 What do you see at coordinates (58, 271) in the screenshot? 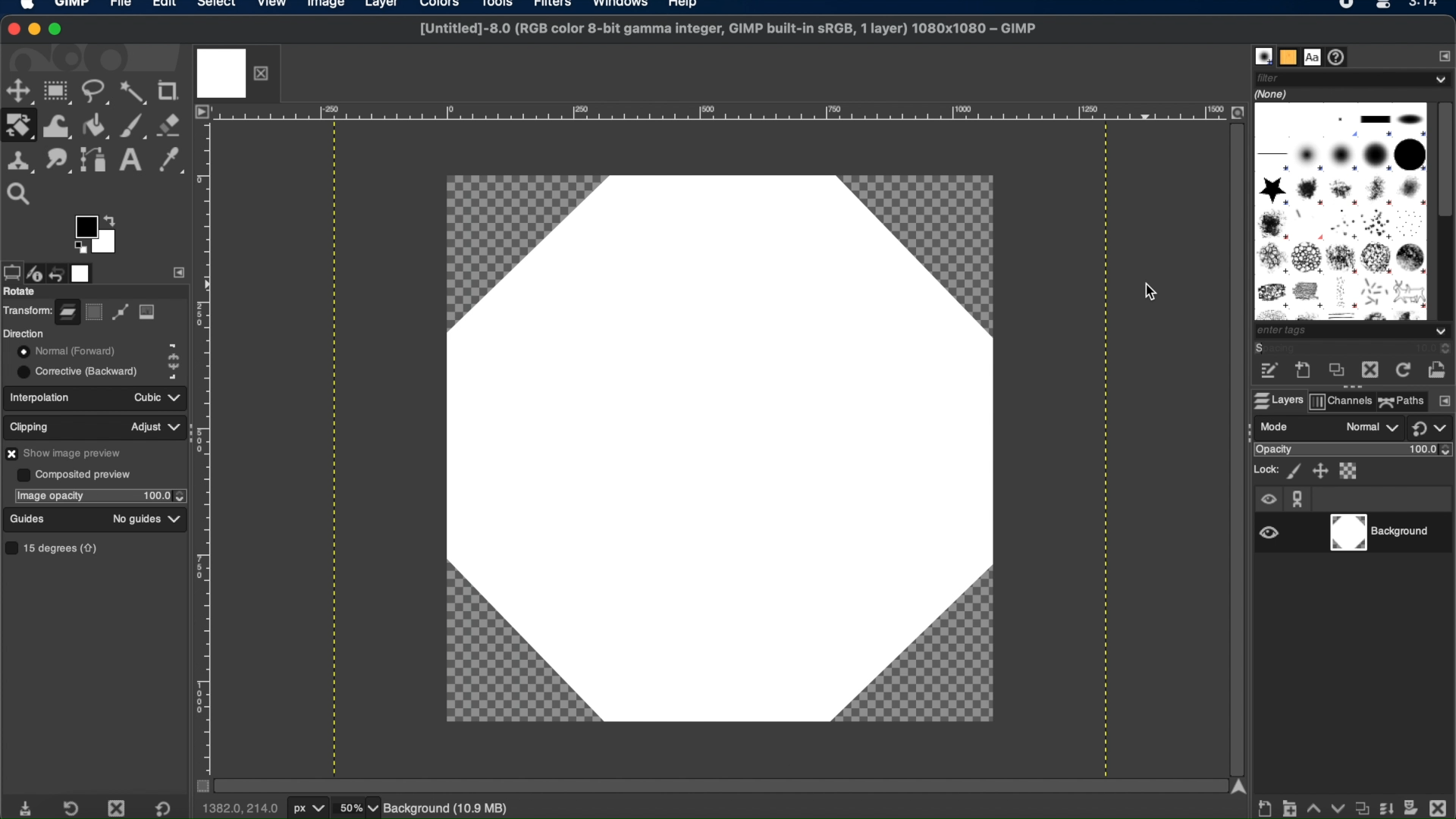
I see `undo history` at bounding box center [58, 271].